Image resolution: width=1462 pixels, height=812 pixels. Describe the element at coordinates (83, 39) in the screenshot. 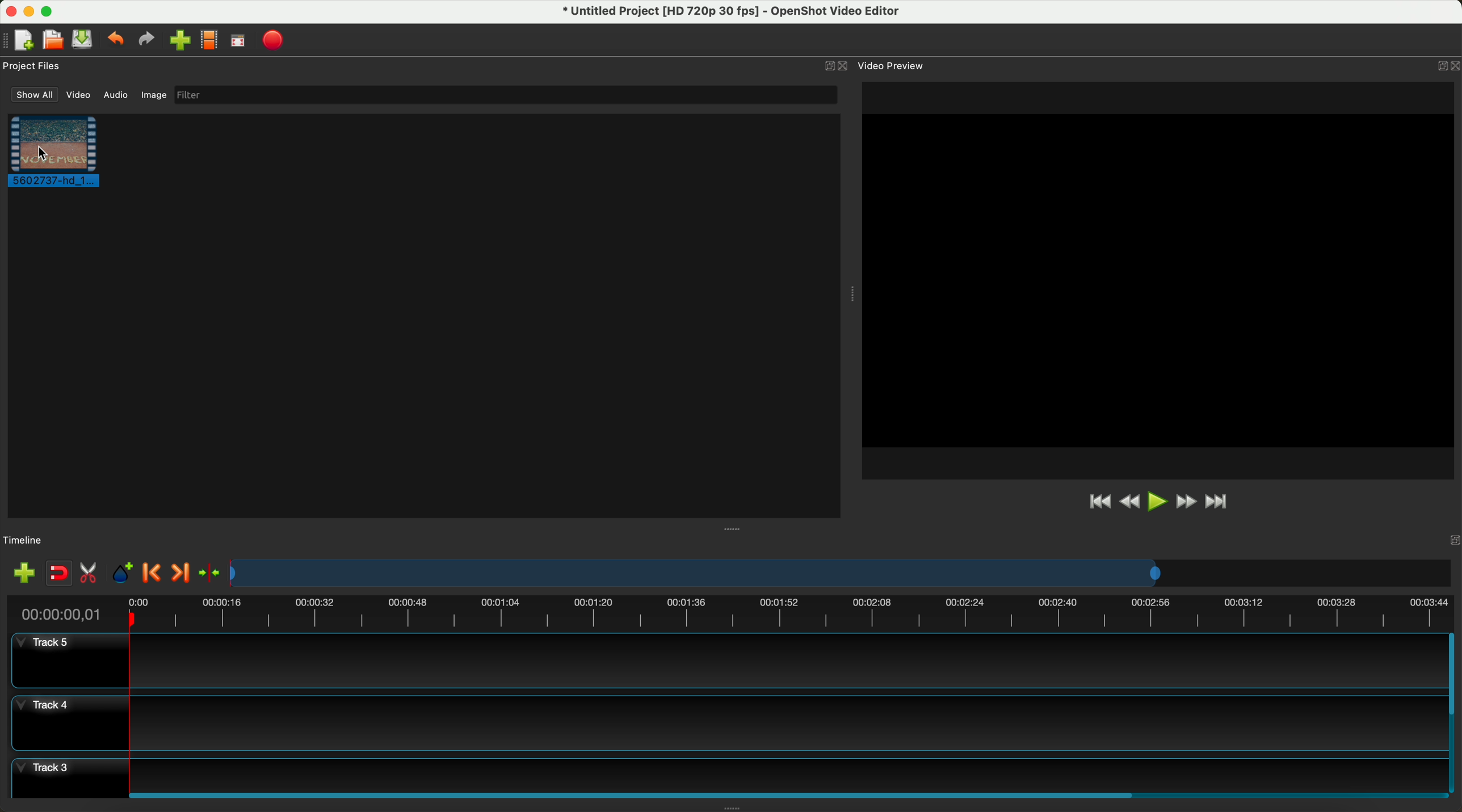

I see `save project` at that location.